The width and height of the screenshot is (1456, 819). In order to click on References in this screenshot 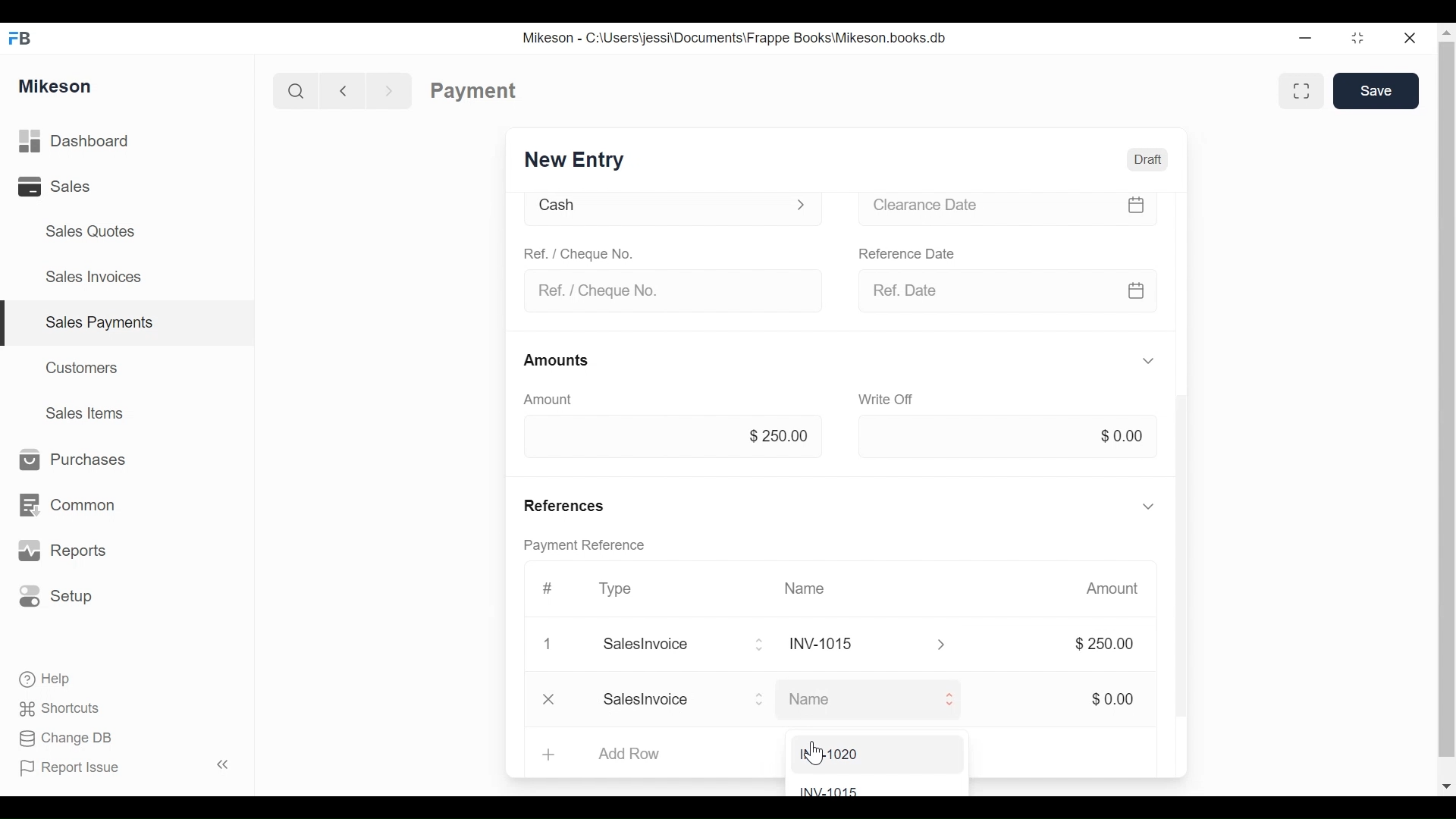, I will do `click(581, 505)`.